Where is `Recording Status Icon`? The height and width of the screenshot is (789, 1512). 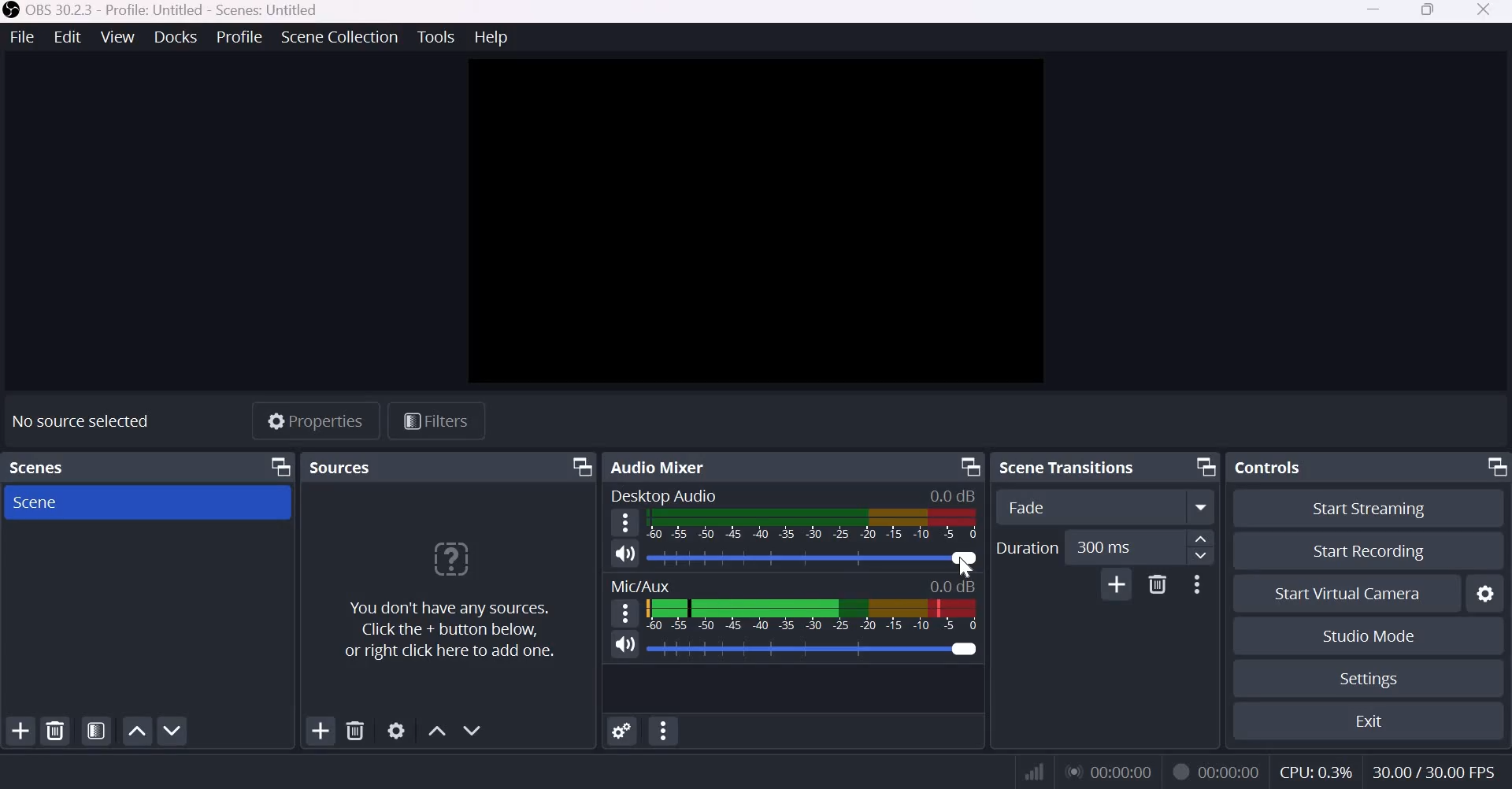 Recording Status Icon is located at coordinates (1180, 770).